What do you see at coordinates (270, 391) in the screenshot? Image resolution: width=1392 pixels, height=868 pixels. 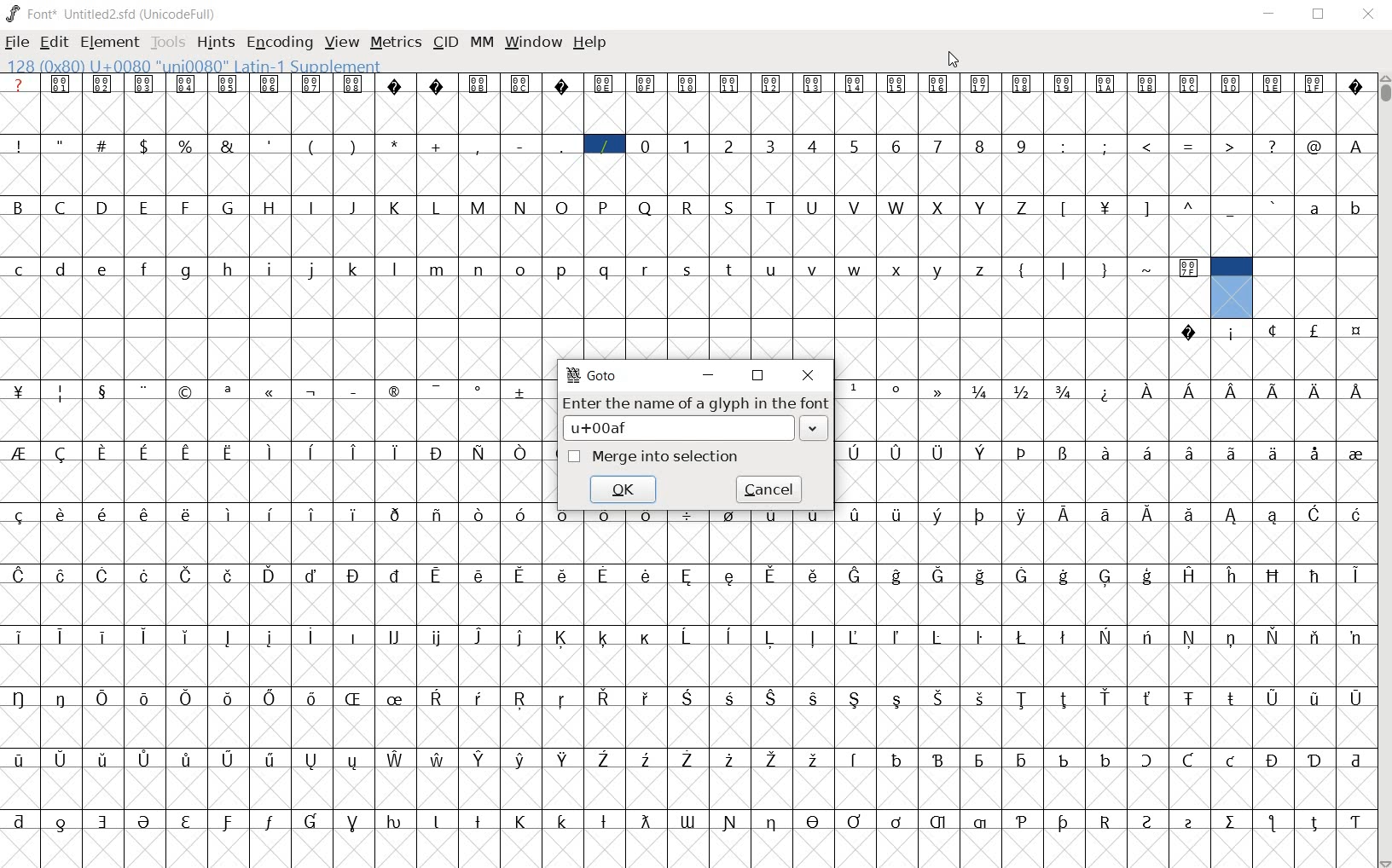 I see `Symbol` at bounding box center [270, 391].